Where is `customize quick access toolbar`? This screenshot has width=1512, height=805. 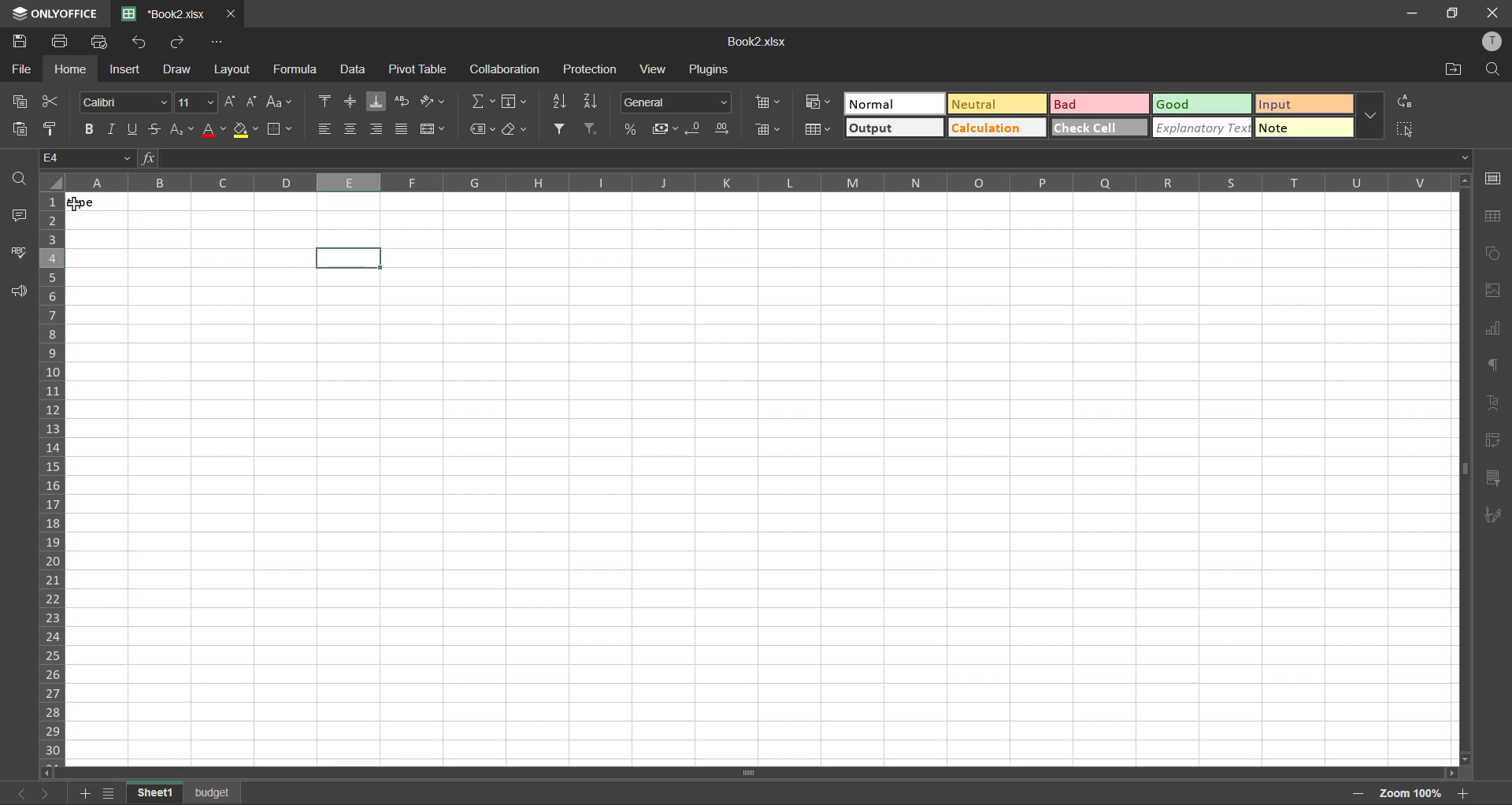
customize quick access toolbar is located at coordinates (217, 44).